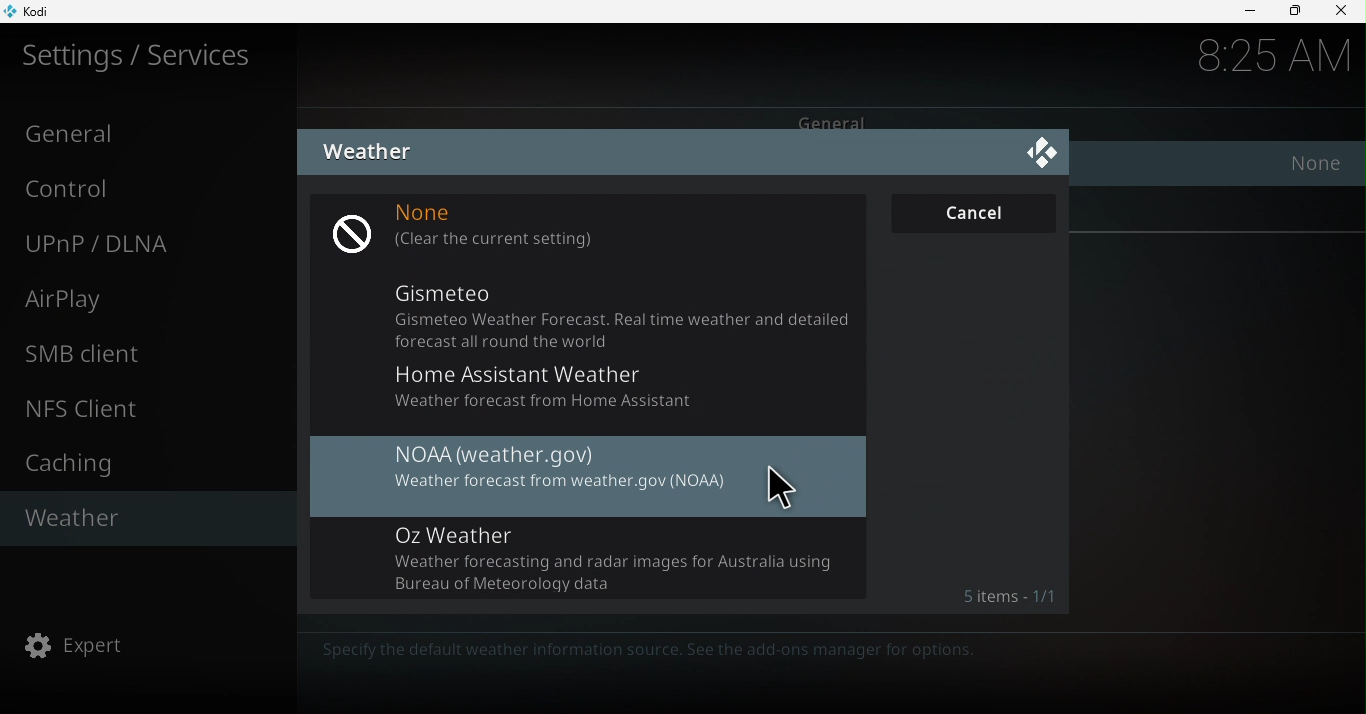 The width and height of the screenshot is (1366, 714). Describe the element at coordinates (139, 244) in the screenshot. I see `UNnP/DLNA` at that location.